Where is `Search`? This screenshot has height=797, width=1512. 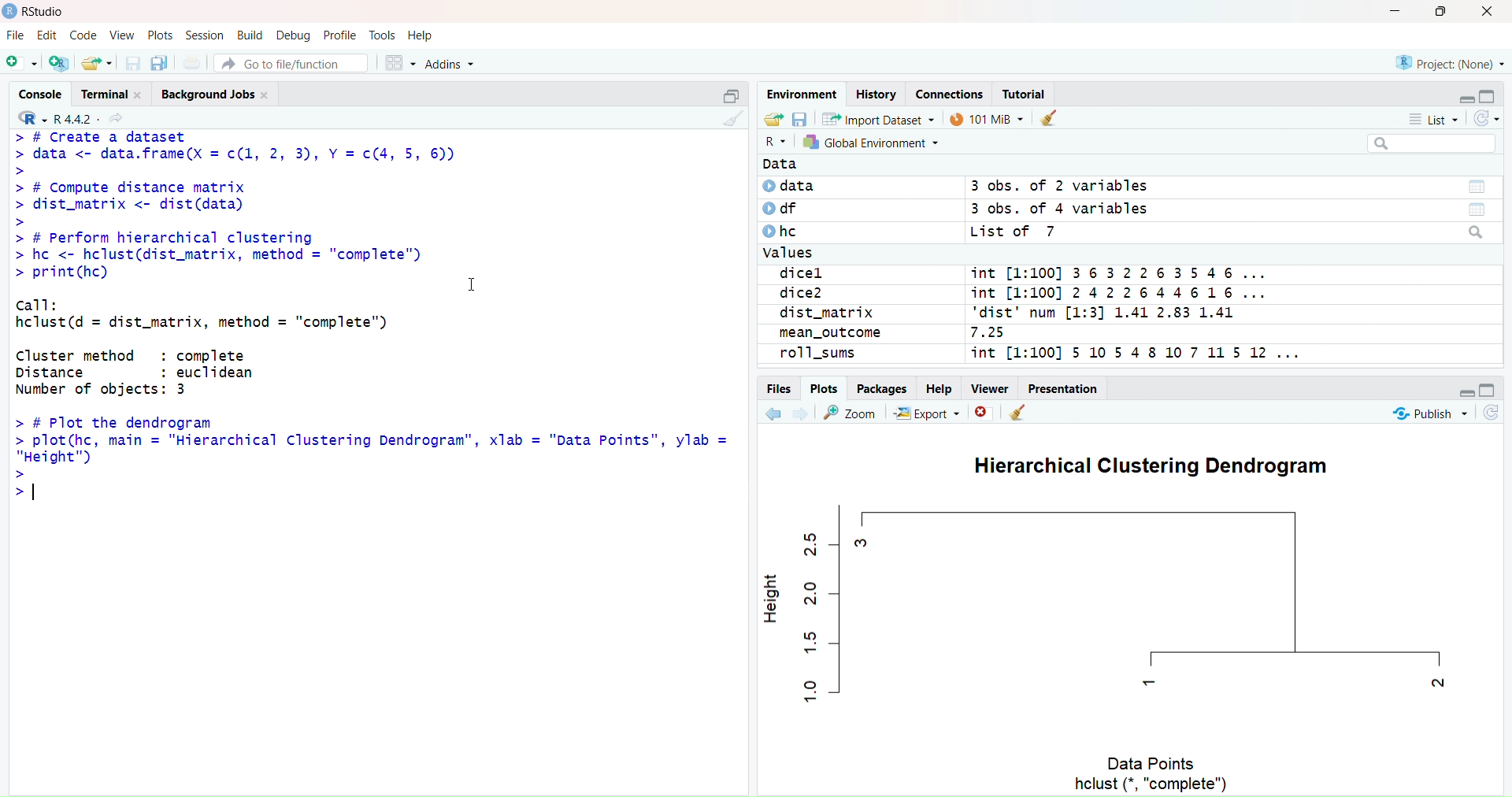 Search is located at coordinates (1479, 237).